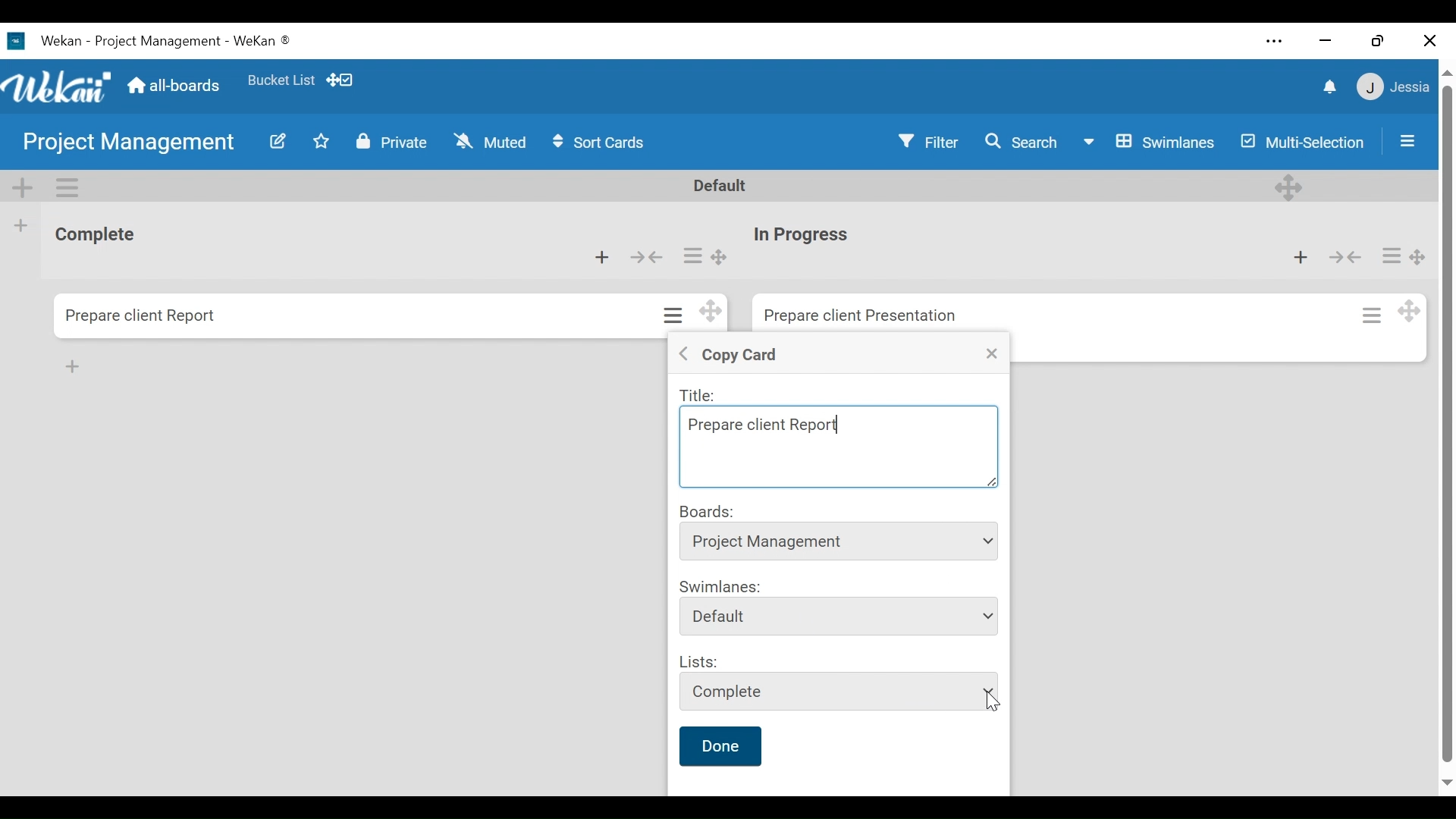  Describe the element at coordinates (280, 141) in the screenshot. I see `Edit` at that location.